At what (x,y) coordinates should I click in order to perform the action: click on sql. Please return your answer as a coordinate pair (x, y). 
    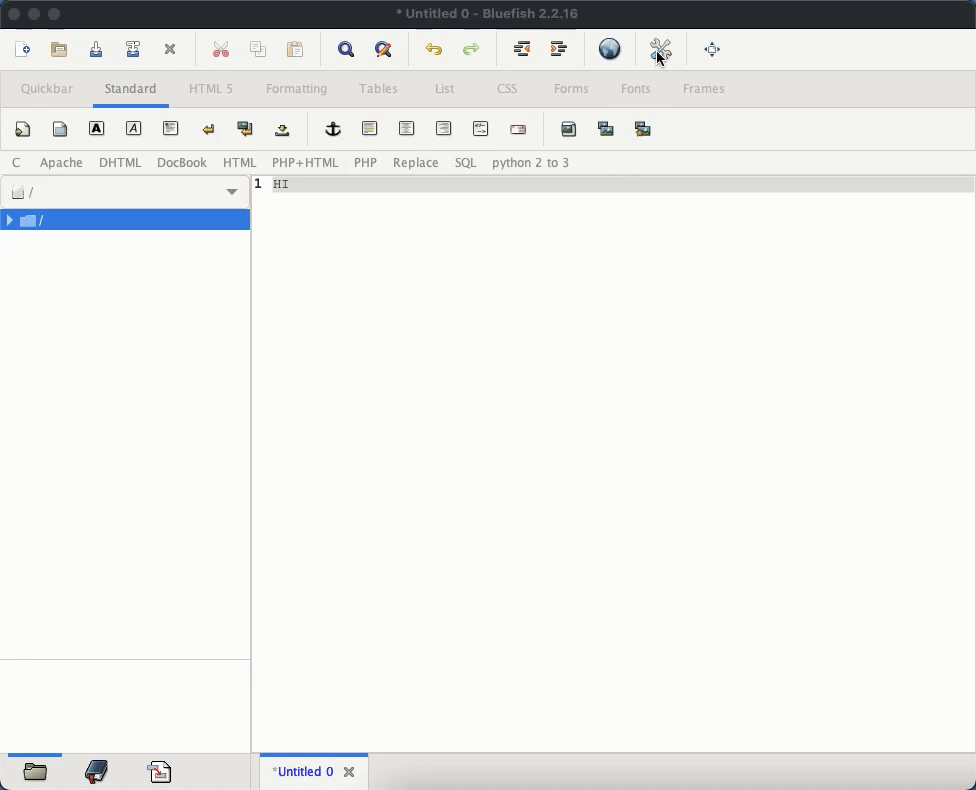
    Looking at the image, I should click on (468, 163).